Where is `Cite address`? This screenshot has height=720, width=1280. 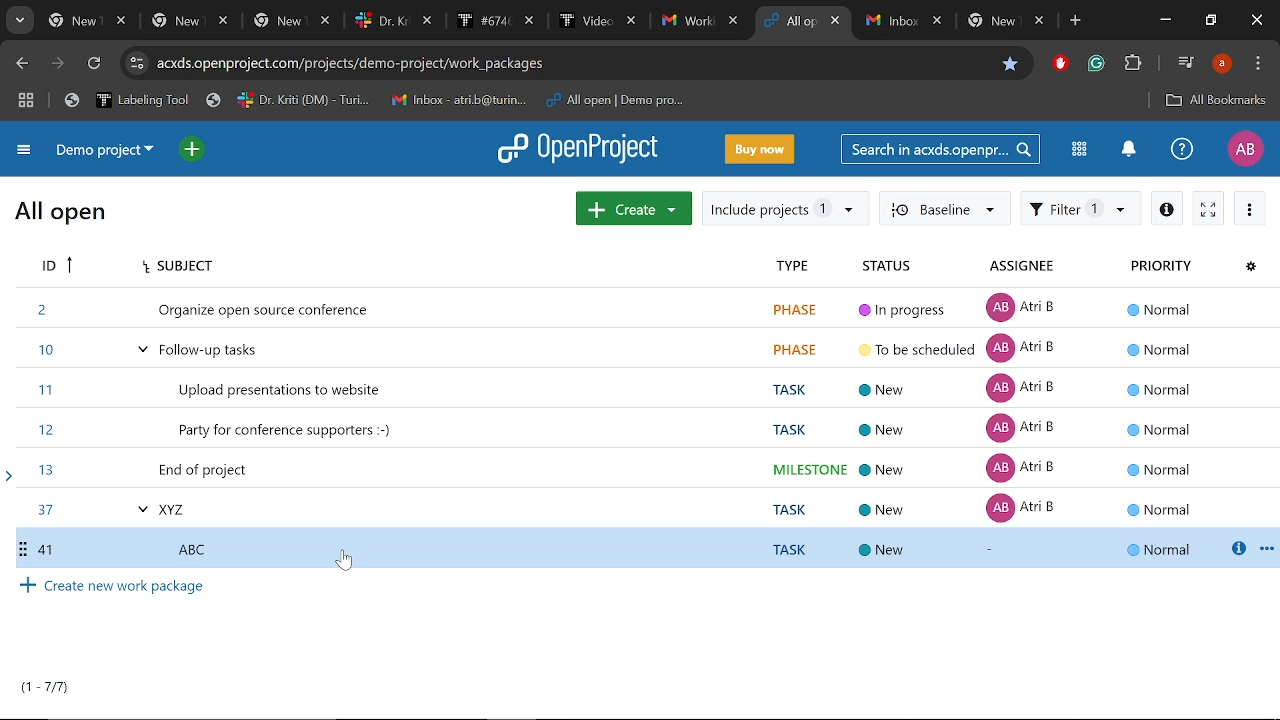 Cite address is located at coordinates (573, 63).